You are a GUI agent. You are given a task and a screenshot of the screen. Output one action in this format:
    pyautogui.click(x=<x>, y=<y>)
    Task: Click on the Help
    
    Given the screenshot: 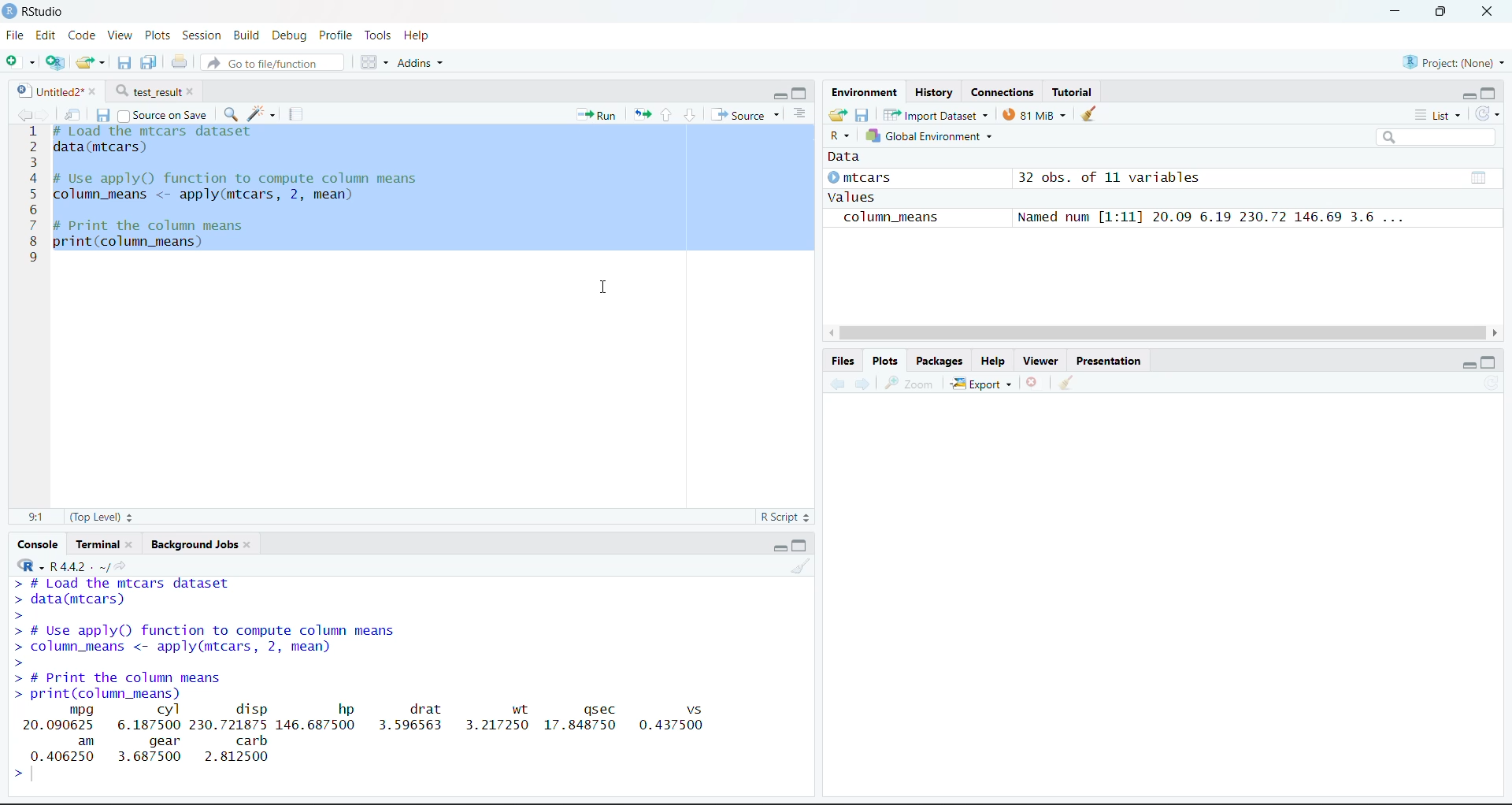 What is the action you would take?
    pyautogui.click(x=422, y=35)
    